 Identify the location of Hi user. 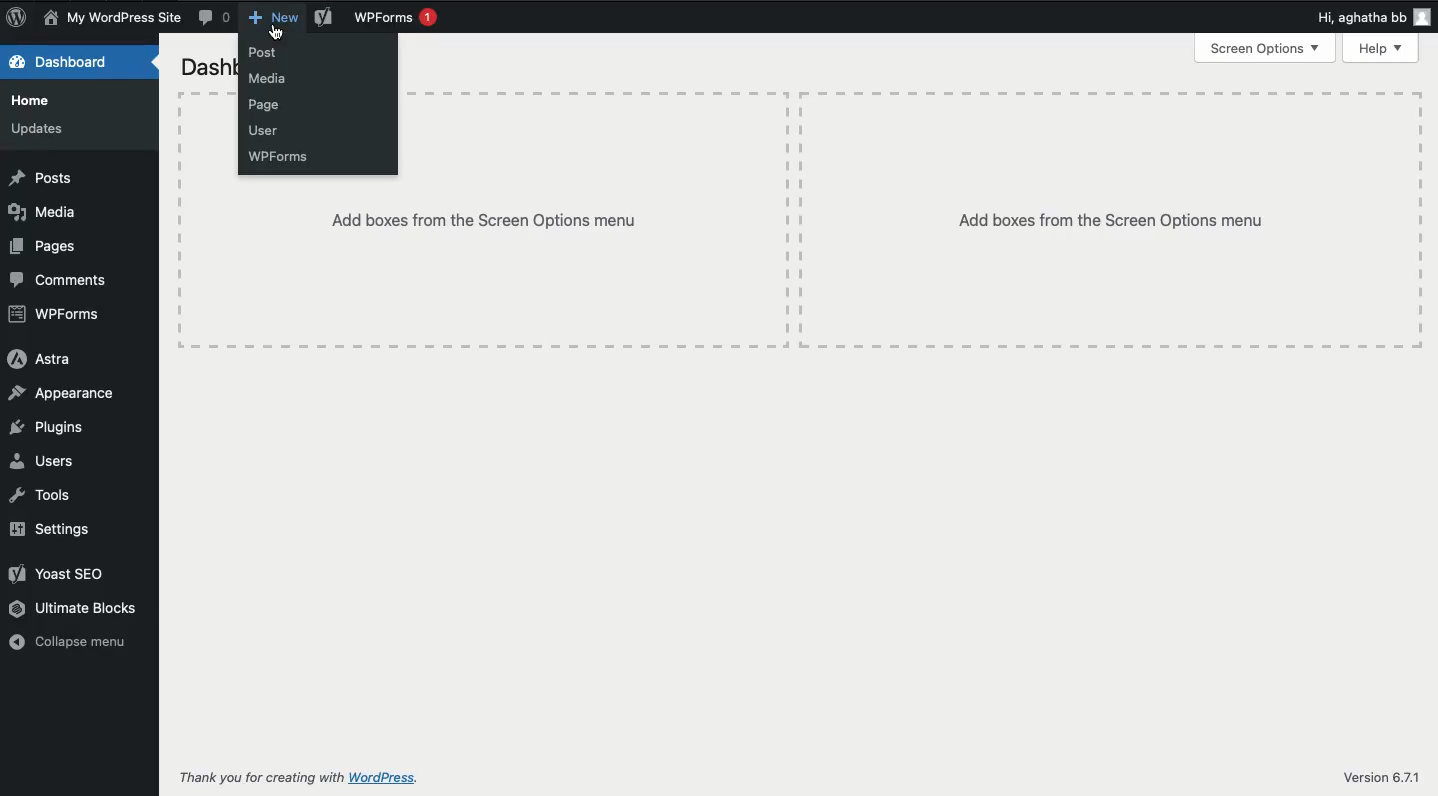
(1371, 15).